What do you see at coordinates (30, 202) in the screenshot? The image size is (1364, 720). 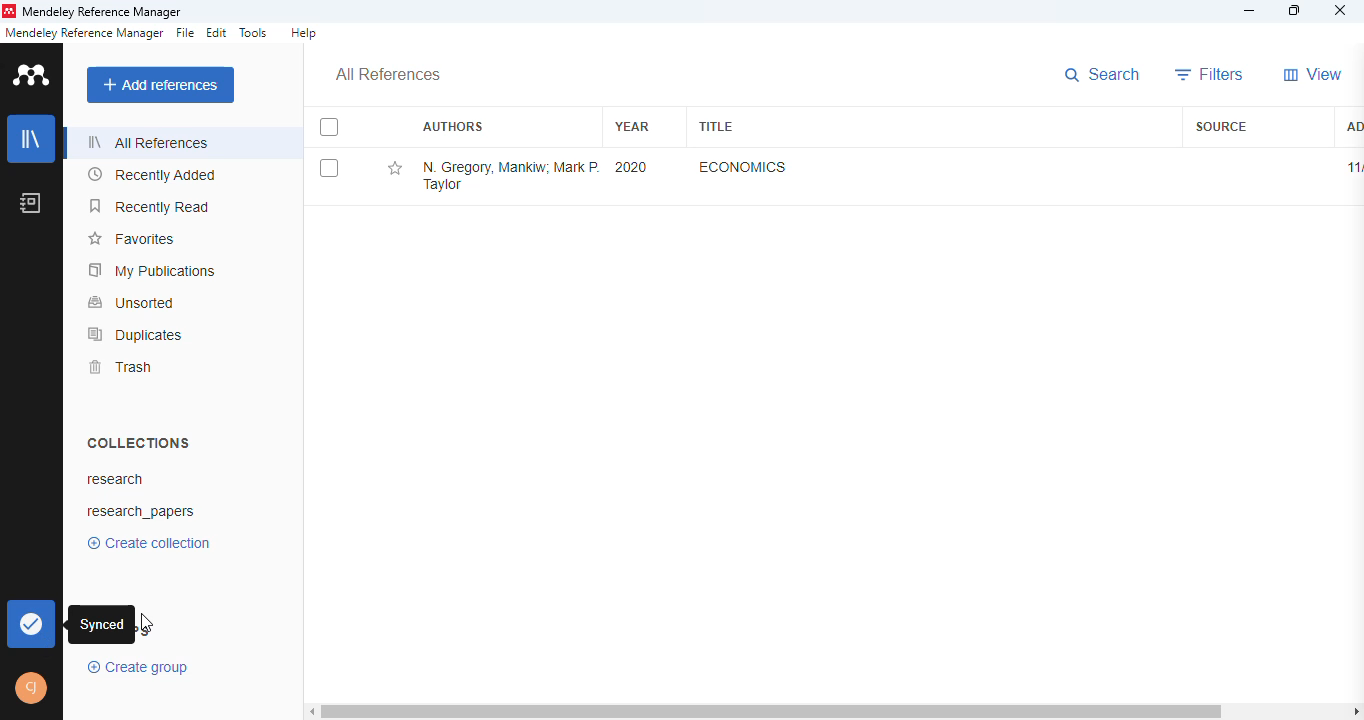 I see `notebook` at bounding box center [30, 202].